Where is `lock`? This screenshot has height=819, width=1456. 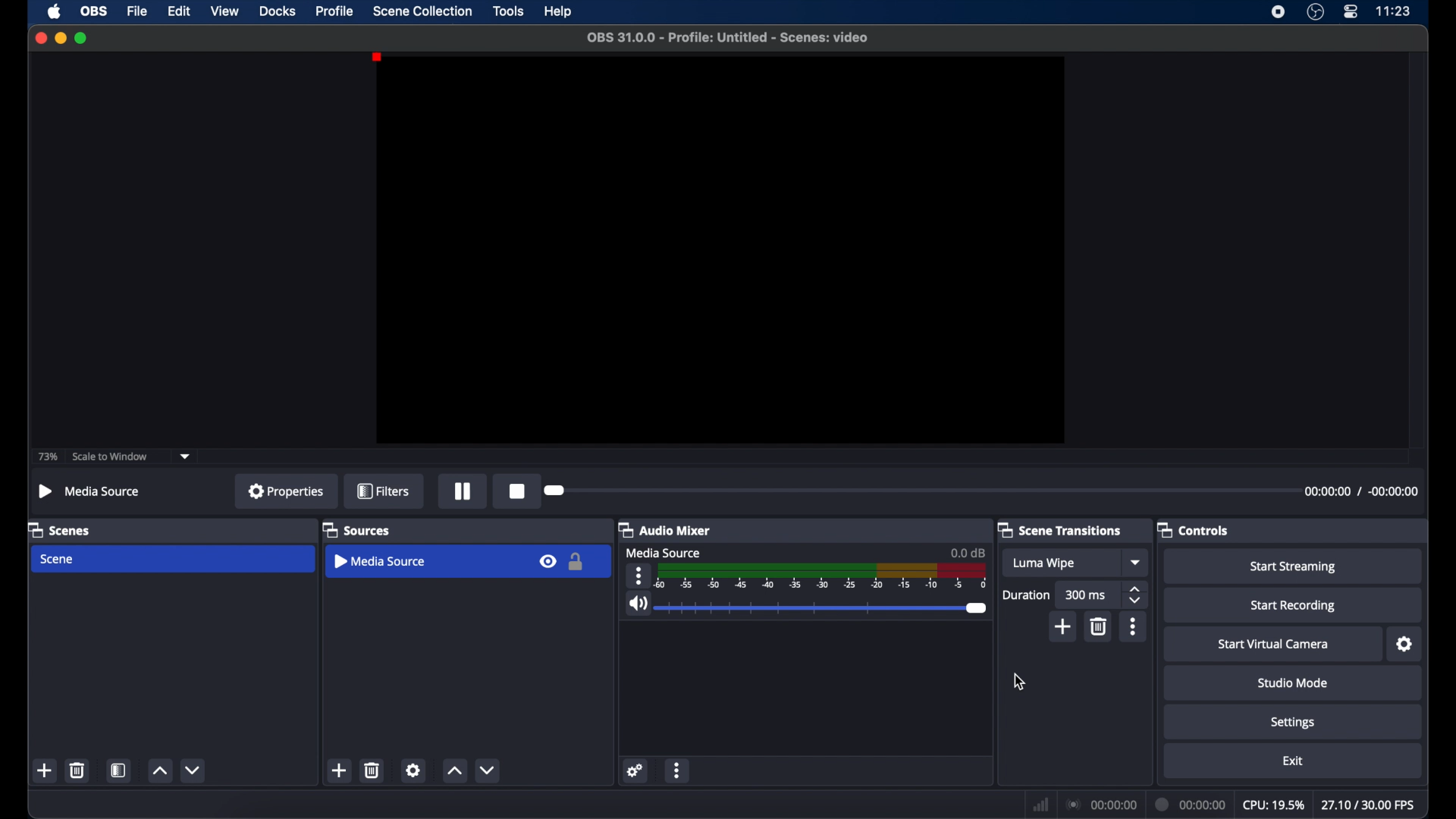
lock is located at coordinates (578, 563).